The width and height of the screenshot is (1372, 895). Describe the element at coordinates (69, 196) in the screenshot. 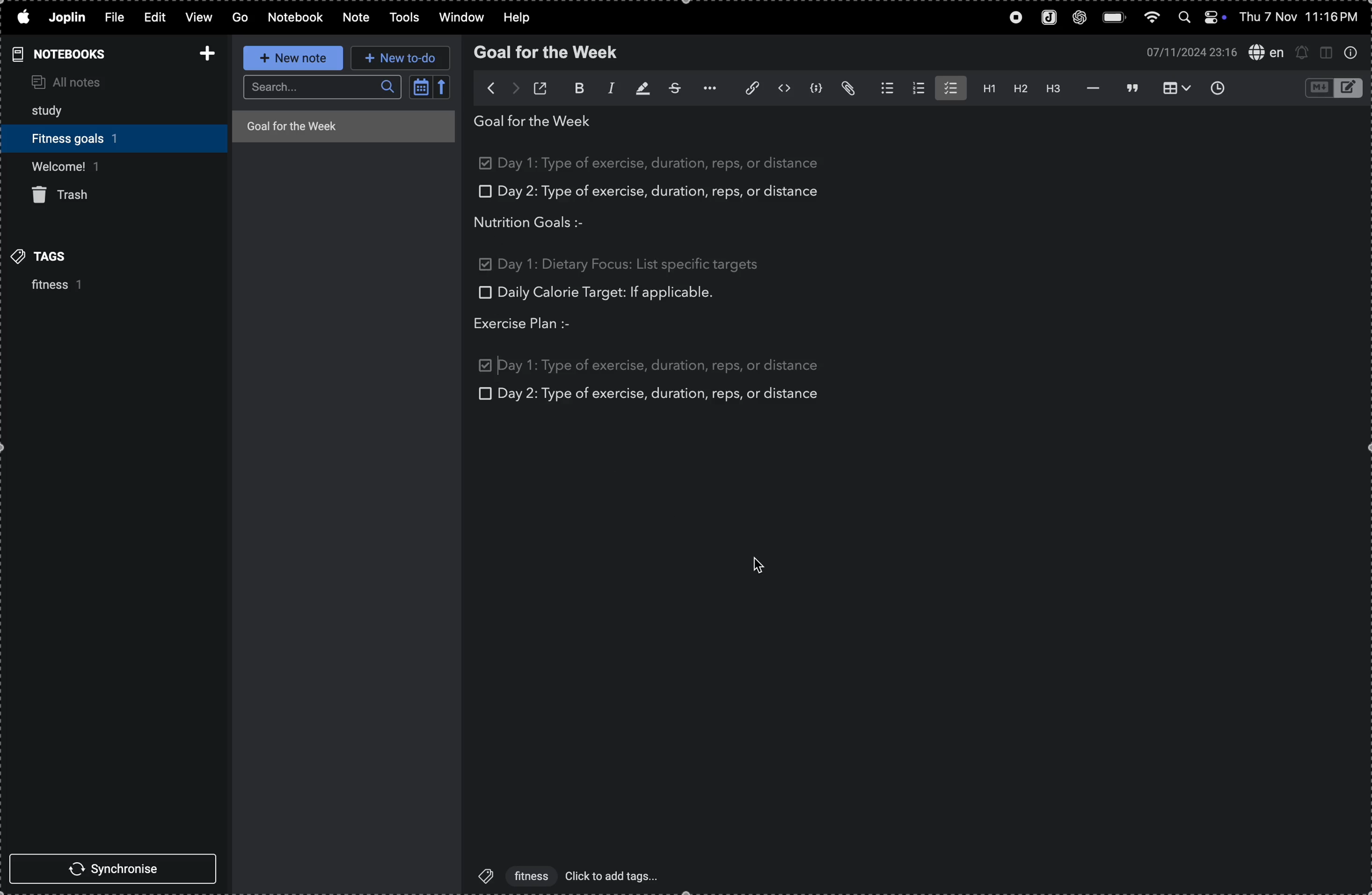

I see `trash` at that location.